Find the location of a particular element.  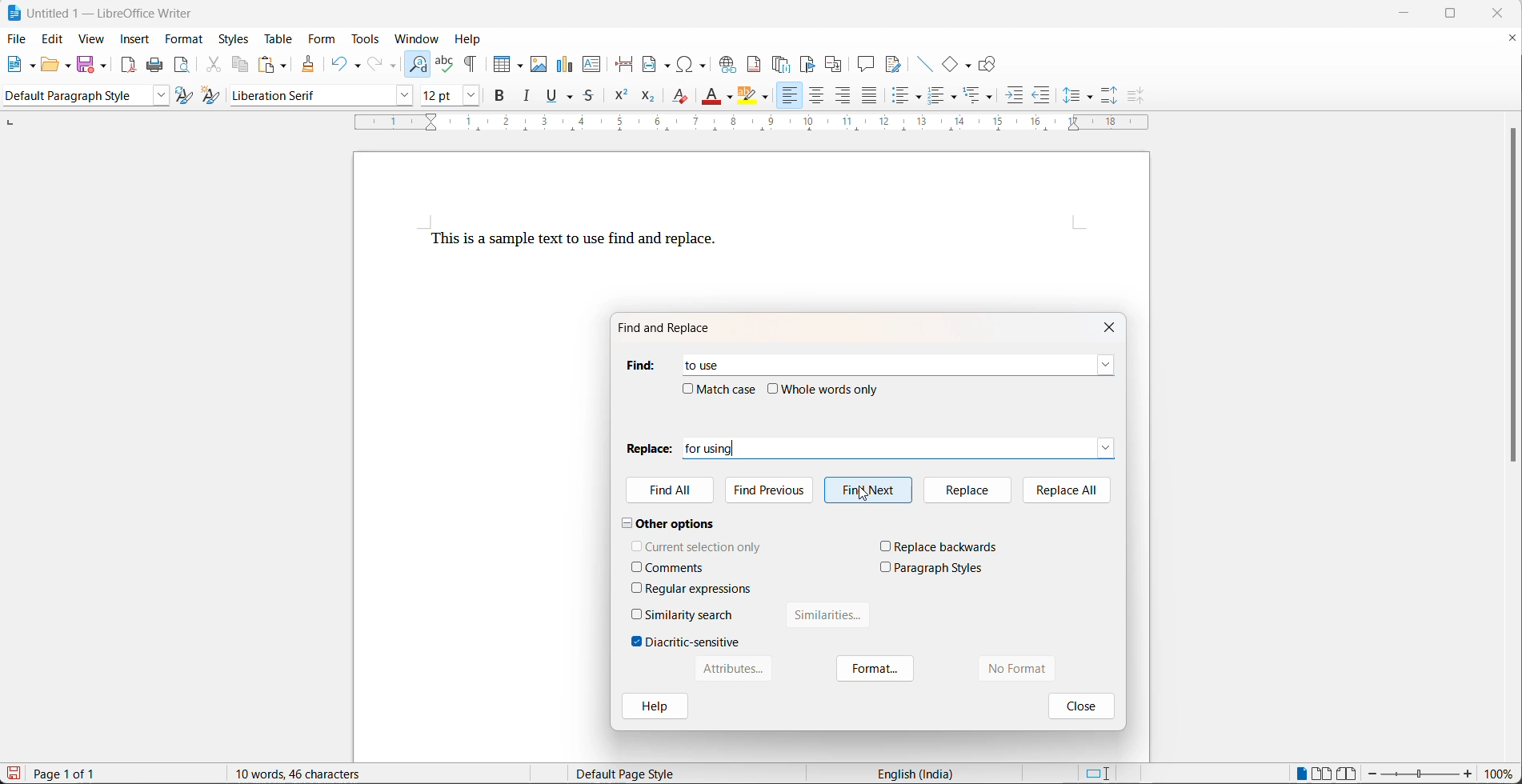

toggle formatting marks is located at coordinates (475, 59).